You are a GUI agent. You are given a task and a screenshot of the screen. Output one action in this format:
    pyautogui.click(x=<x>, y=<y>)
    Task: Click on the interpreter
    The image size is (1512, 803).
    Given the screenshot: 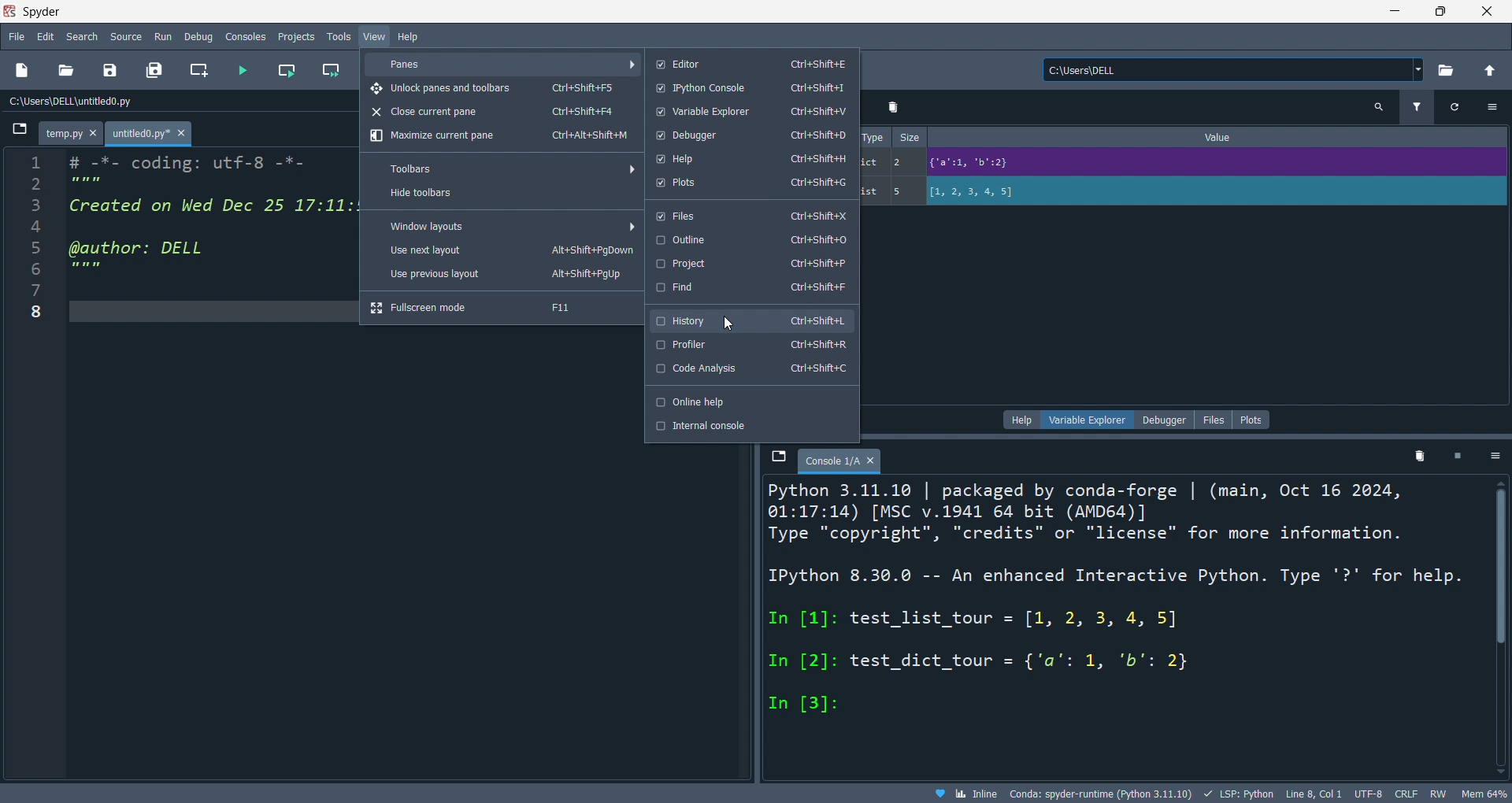 What is the action you would take?
    pyautogui.click(x=1102, y=794)
    